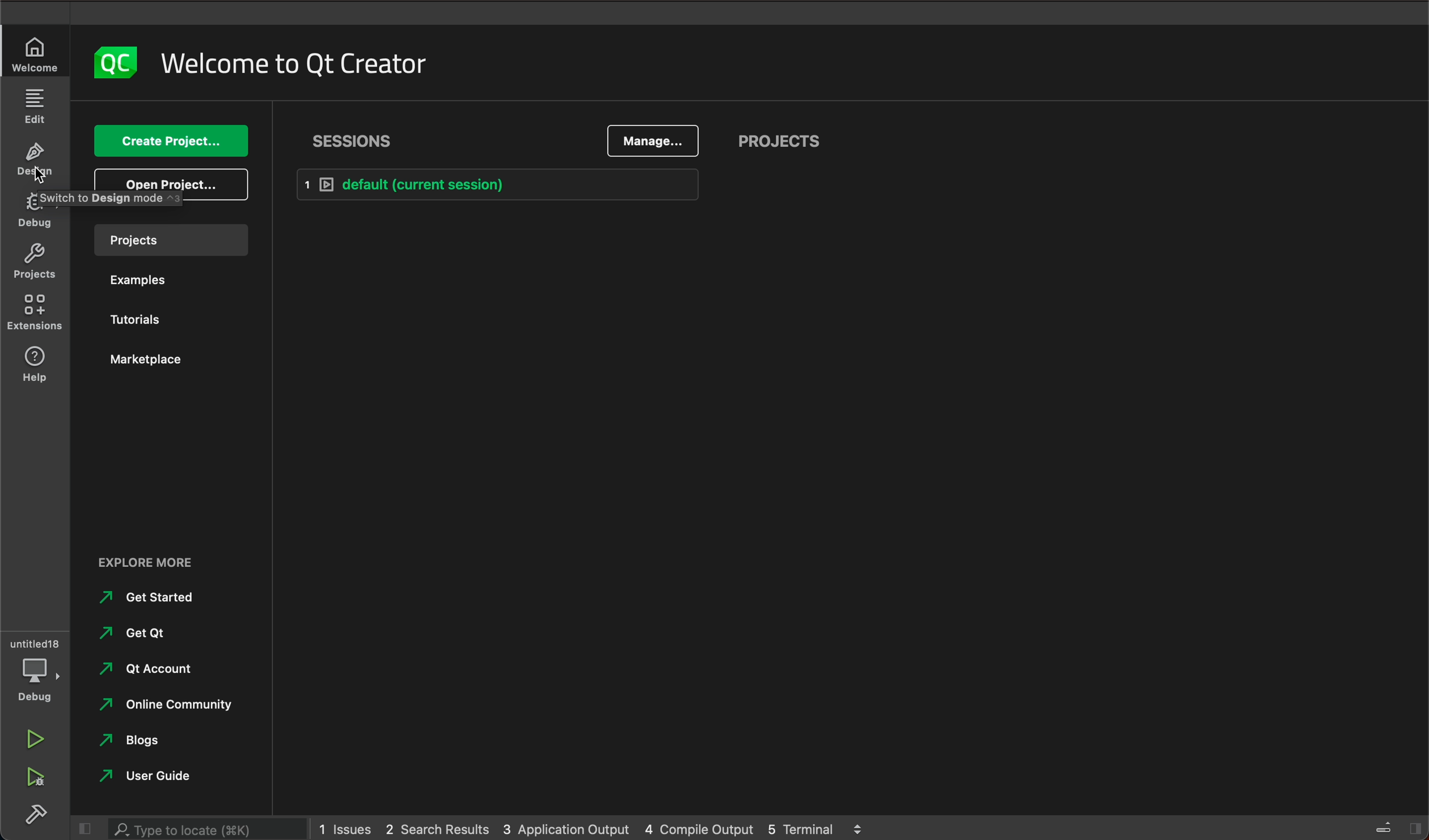 The height and width of the screenshot is (840, 1429). I want to click on extensions, so click(37, 363).